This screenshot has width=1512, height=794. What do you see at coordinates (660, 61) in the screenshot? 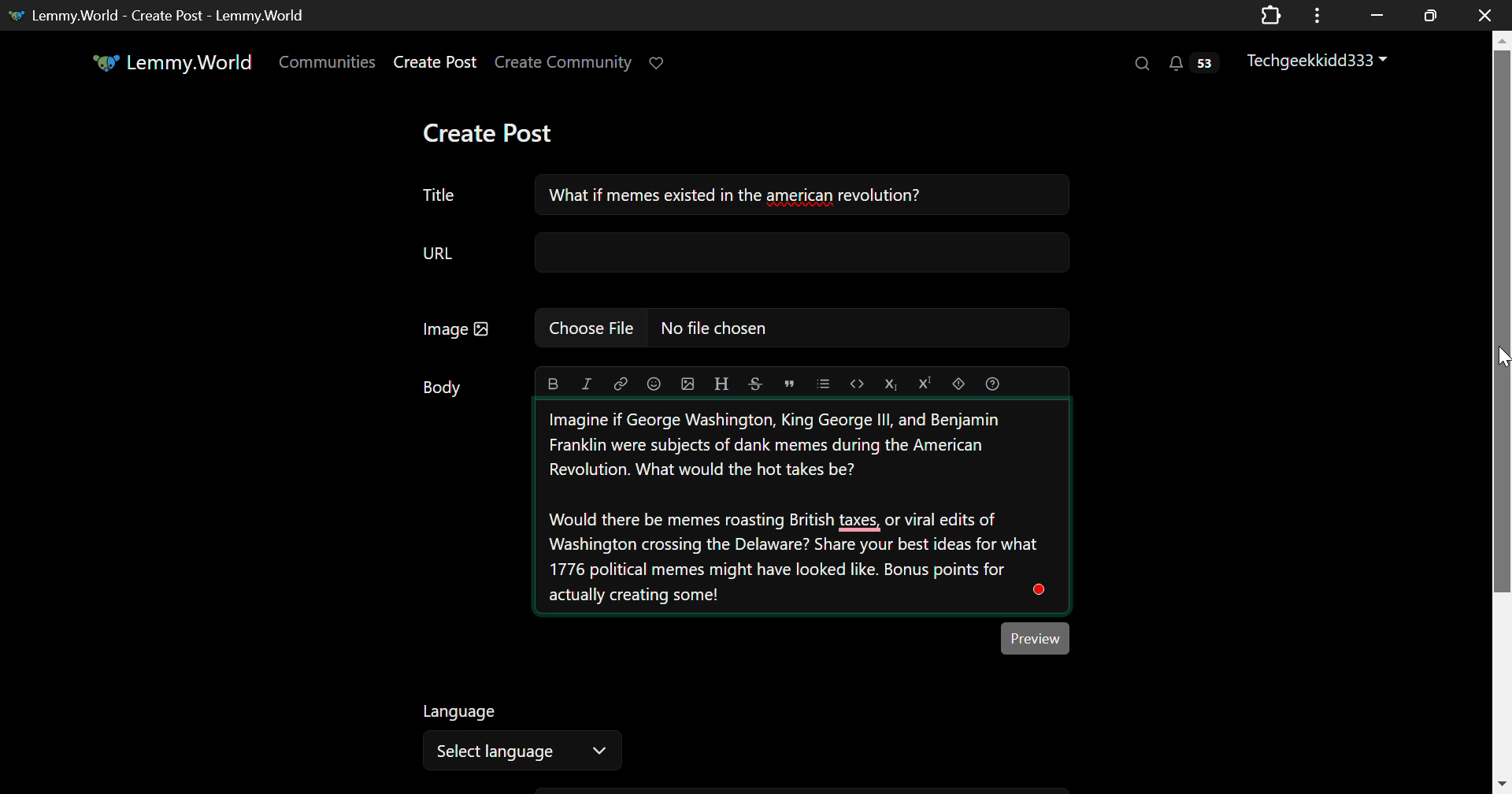
I see `Donate to Lemmy` at bounding box center [660, 61].